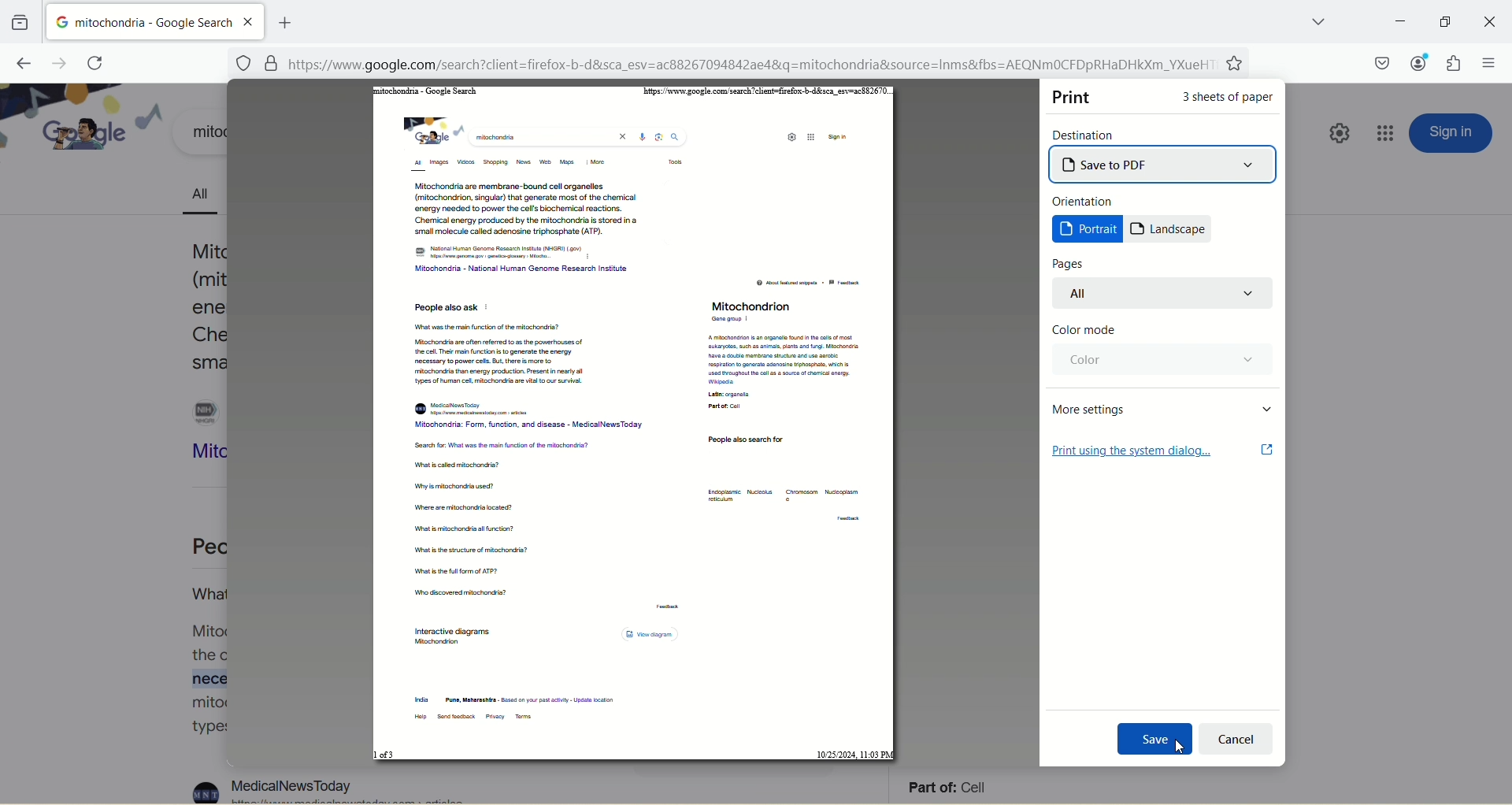 This screenshot has width=1512, height=805. What do you see at coordinates (1488, 65) in the screenshot?
I see `open application menu` at bounding box center [1488, 65].